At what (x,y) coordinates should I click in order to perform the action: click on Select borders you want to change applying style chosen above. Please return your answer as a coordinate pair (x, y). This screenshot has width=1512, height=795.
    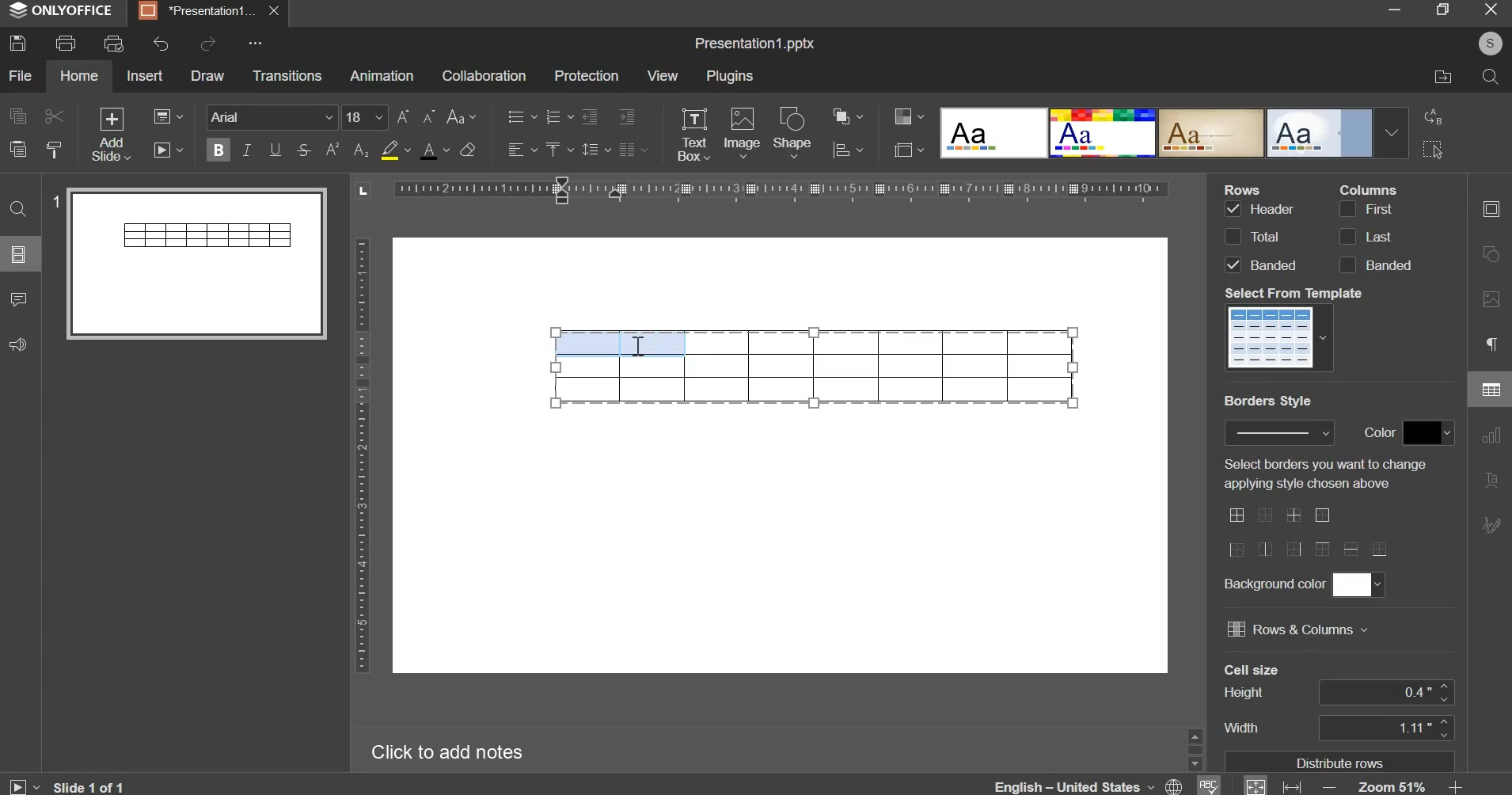
    Looking at the image, I should click on (1322, 474).